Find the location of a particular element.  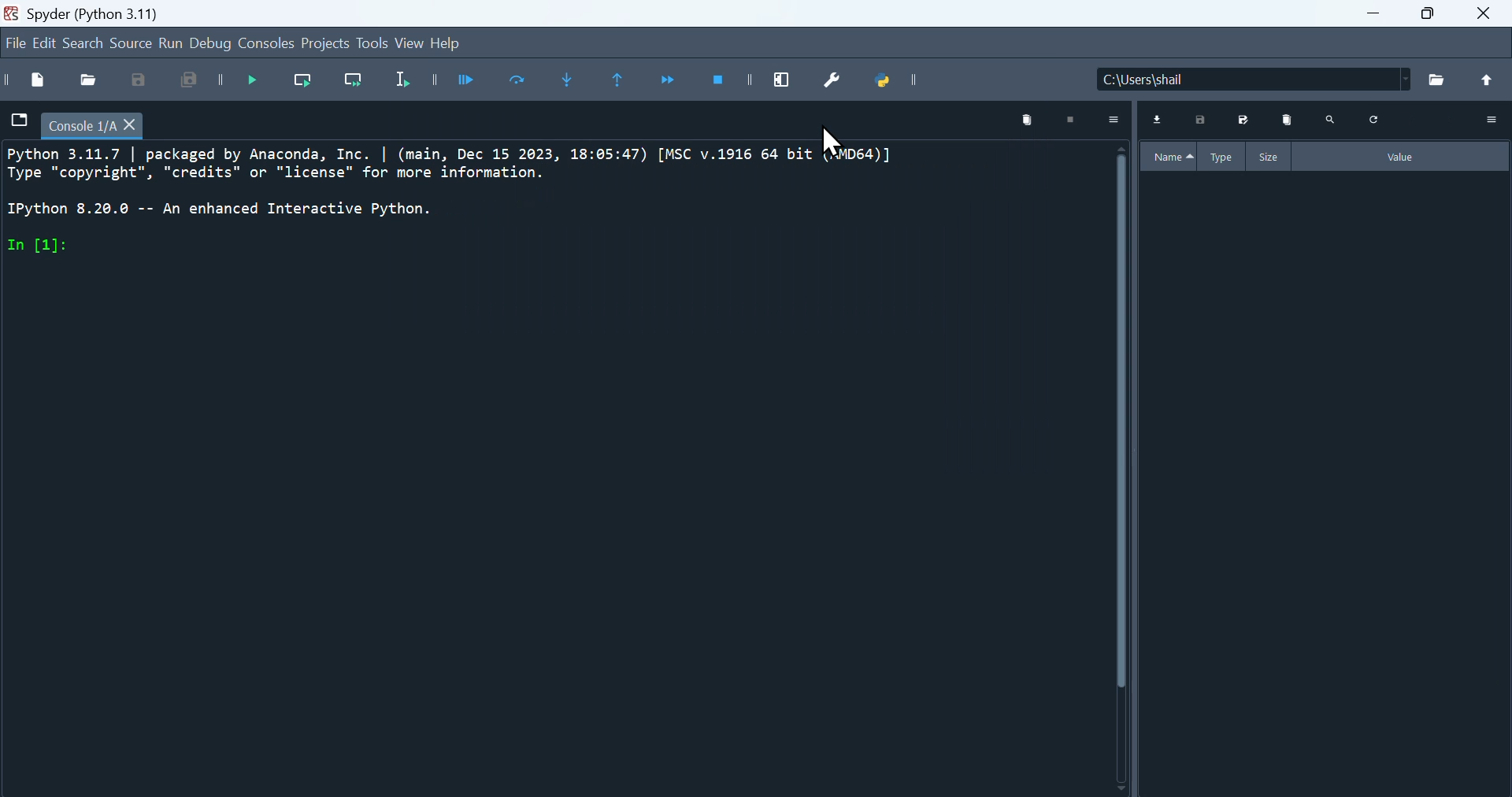

Vertical scroll bar is located at coordinates (1117, 467).